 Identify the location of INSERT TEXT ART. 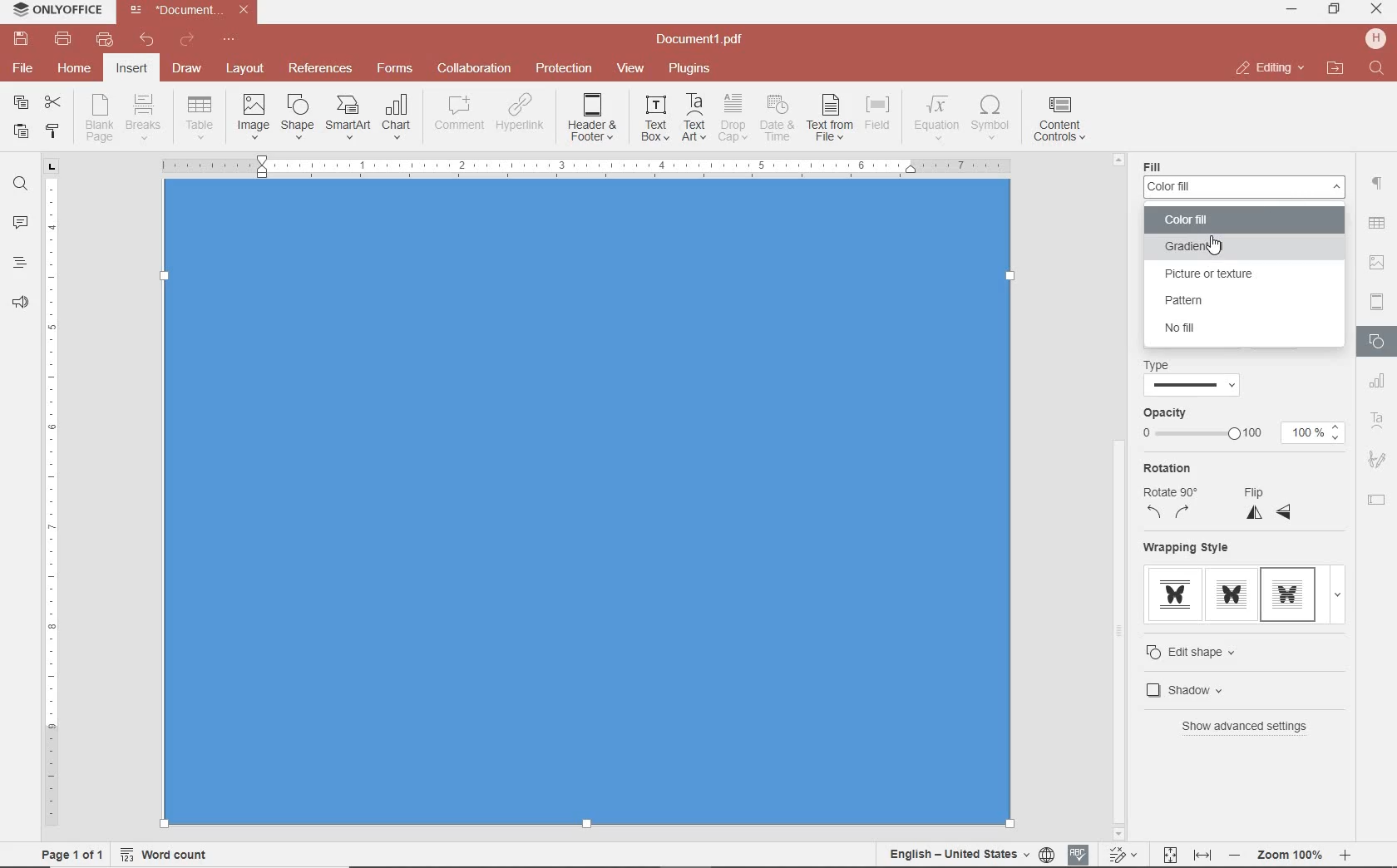
(694, 118).